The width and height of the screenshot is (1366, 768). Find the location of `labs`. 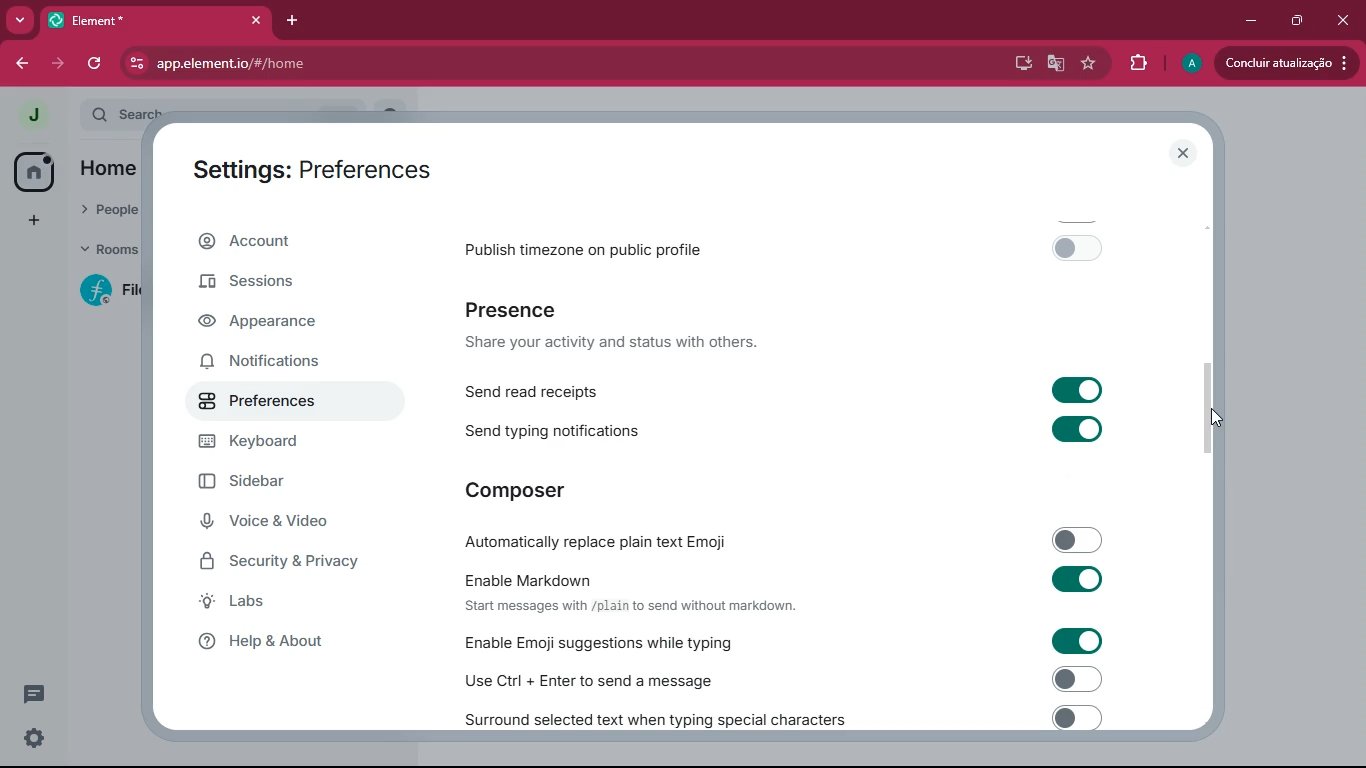

labs is located at coordinates (284, 603).